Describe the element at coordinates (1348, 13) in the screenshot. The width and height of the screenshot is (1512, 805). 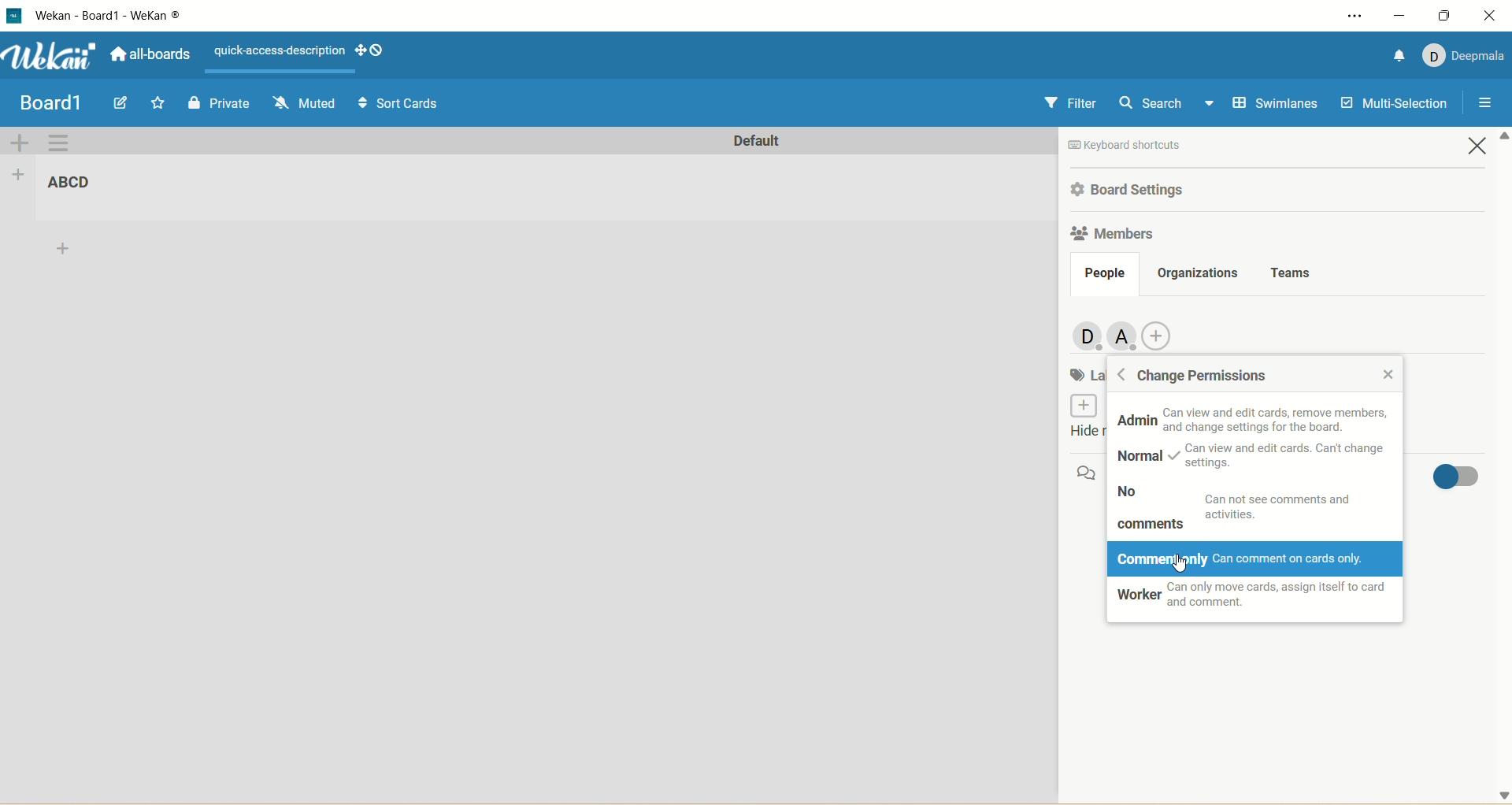
I see `setting and more` at that location.